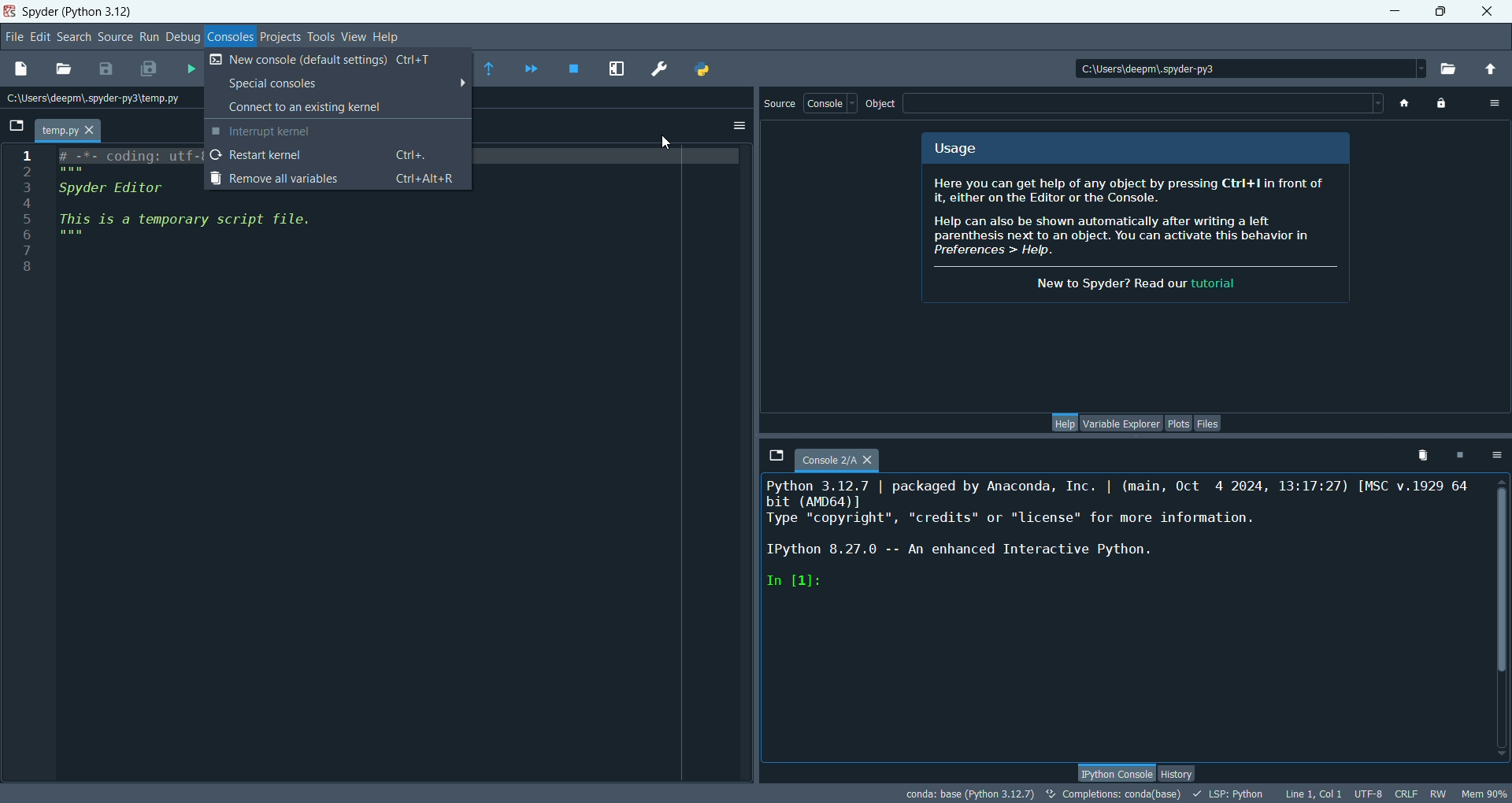 This screenshot has height=803, width=1512. Describe the element at coordinates (574, 71) in the screenshot. I see `stop debugging` at that location.